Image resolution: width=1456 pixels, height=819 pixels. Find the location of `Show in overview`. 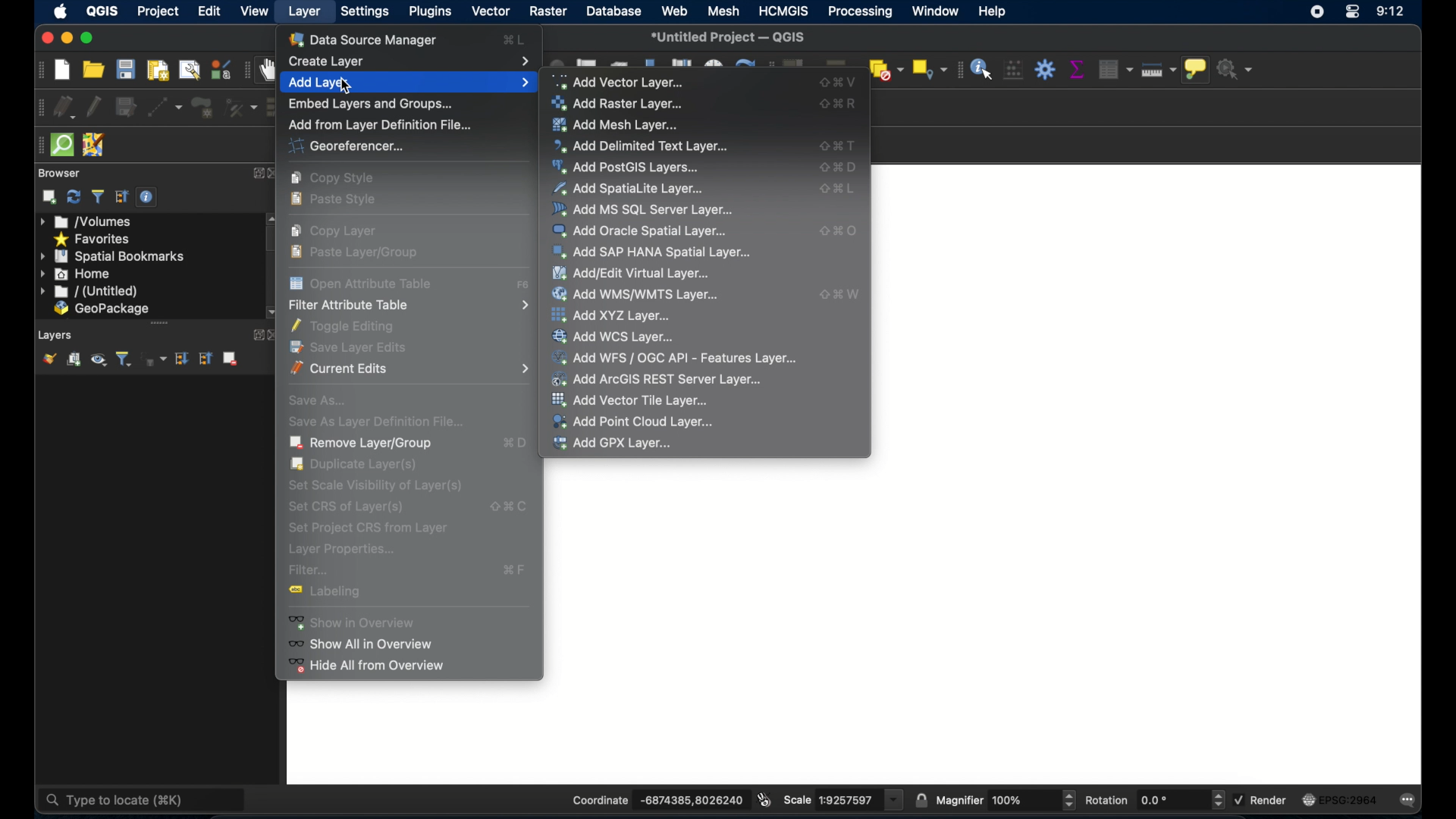

Show in overview is located at coordinates (404, 622).